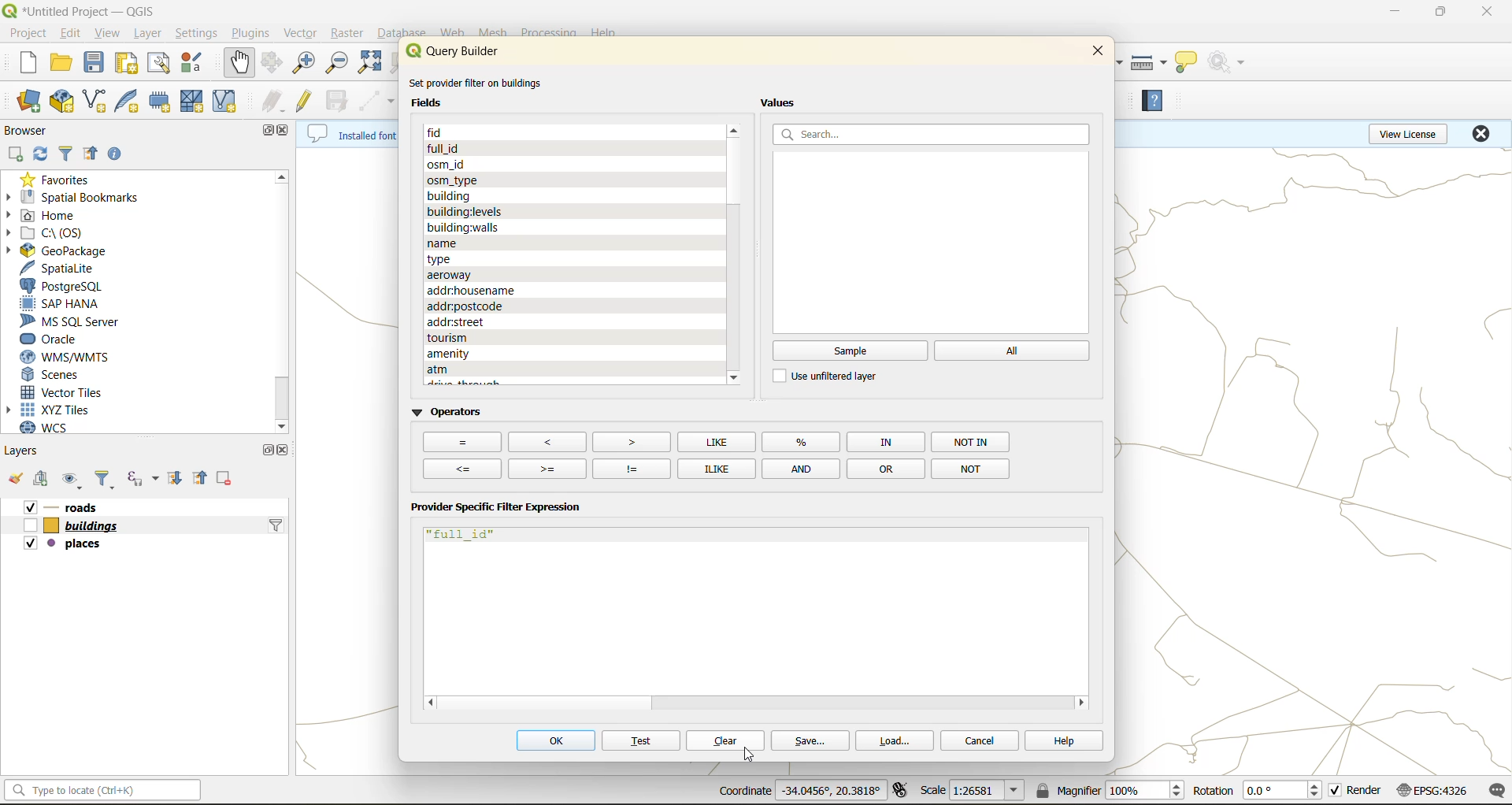  I want to click on opertators, so click(969, 467).